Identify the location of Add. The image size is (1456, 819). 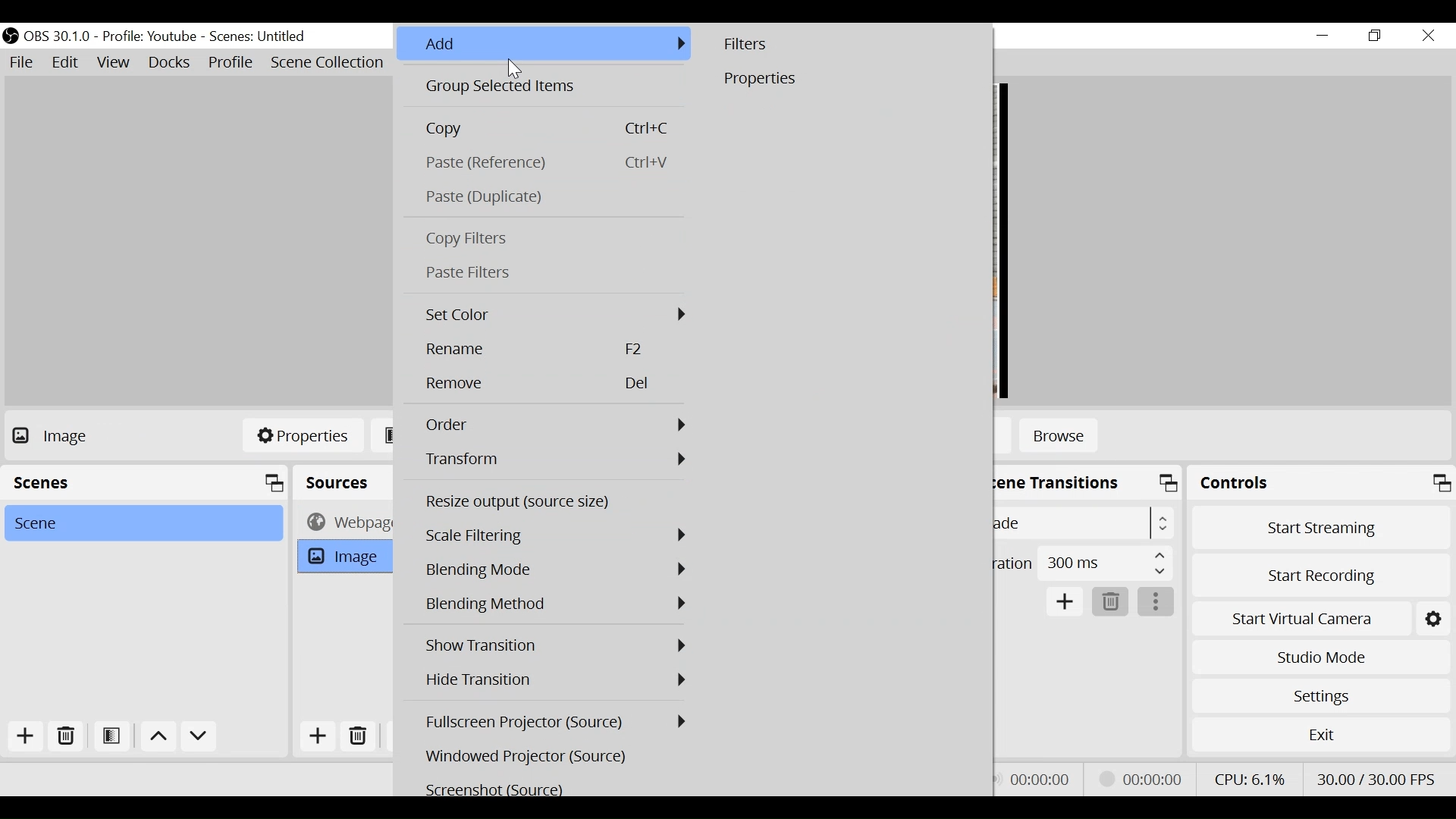
(543, 45).